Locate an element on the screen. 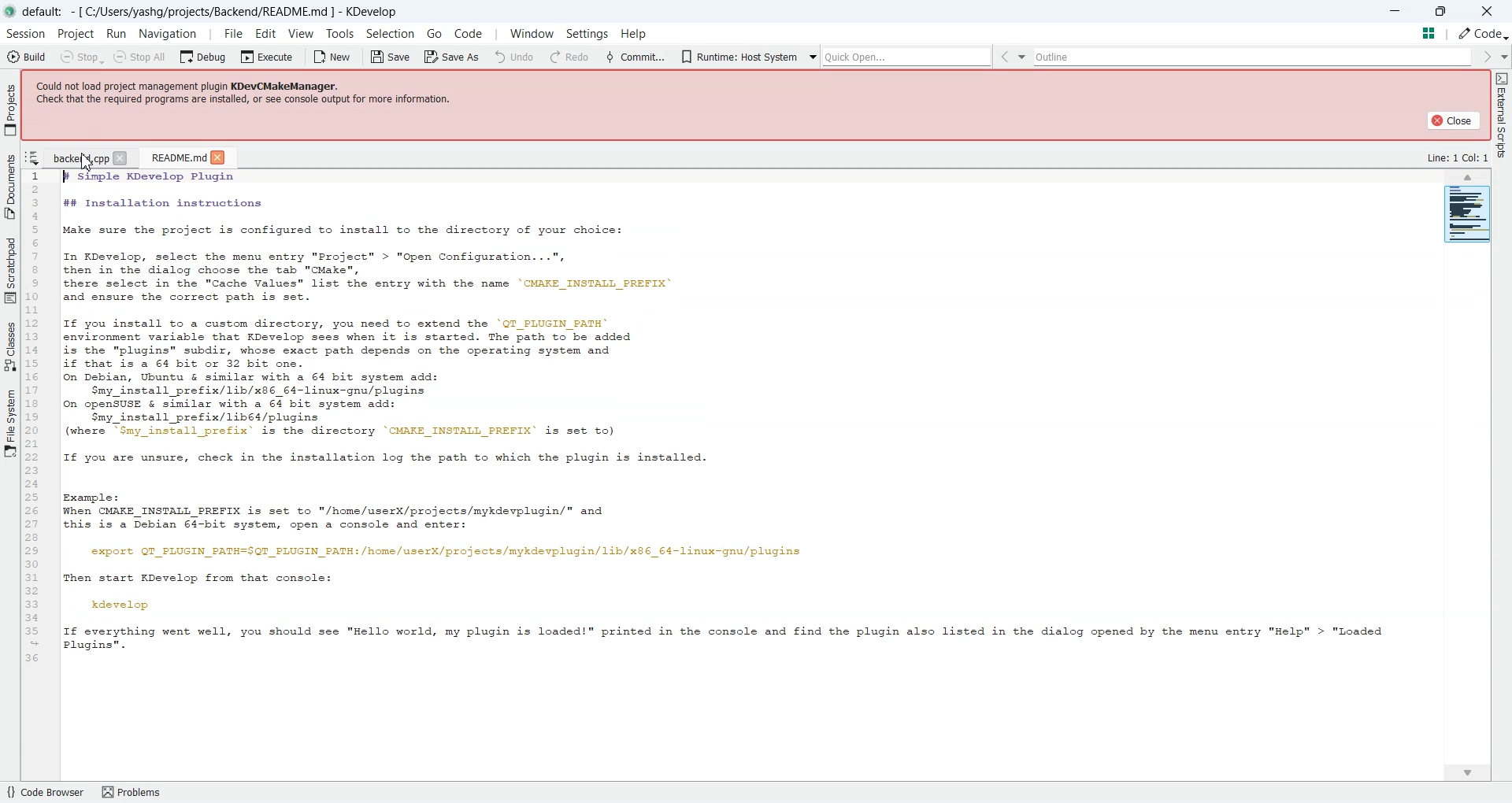  Stop All is located at coordinates (142, 57).